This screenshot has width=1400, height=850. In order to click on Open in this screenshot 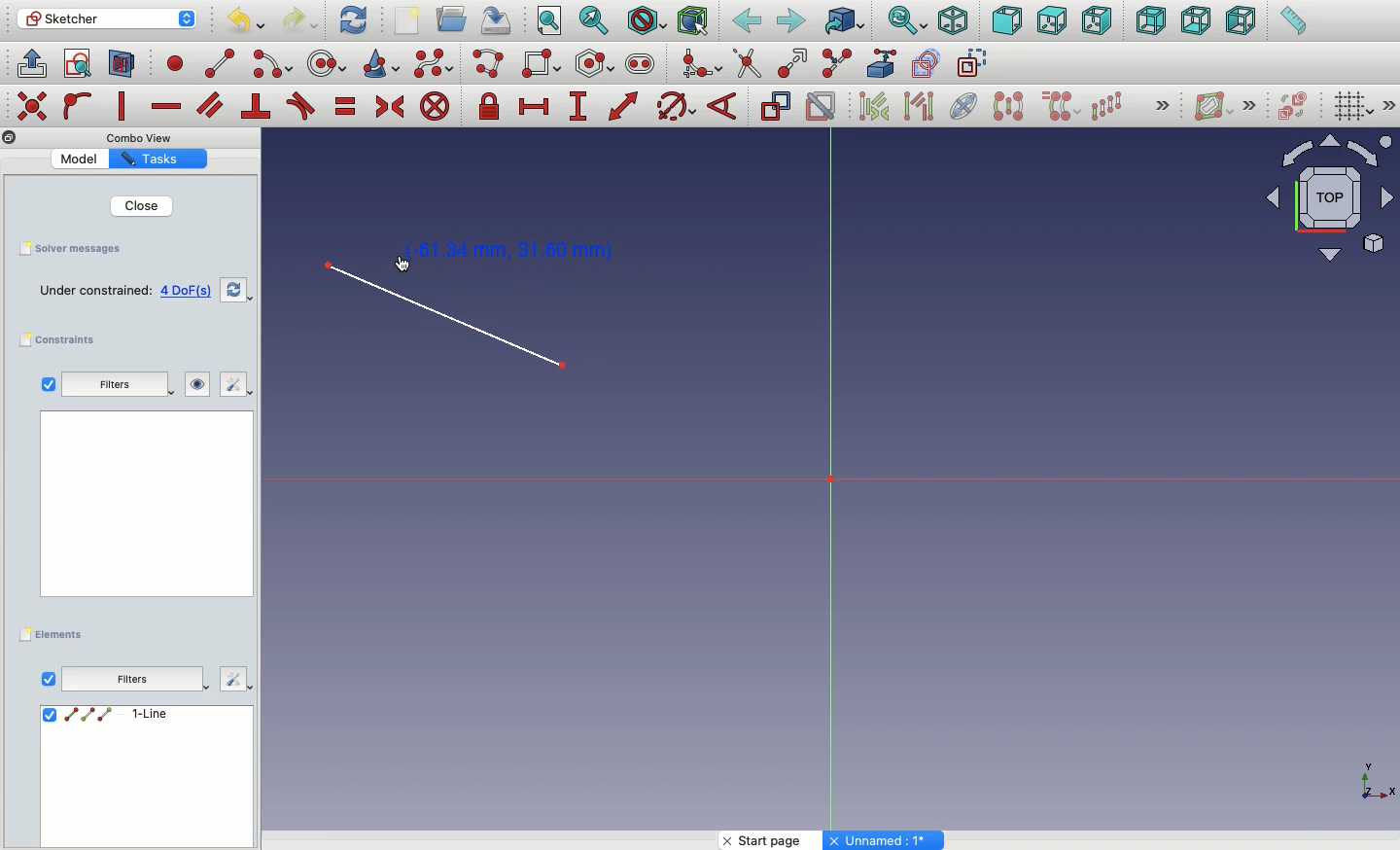, I will do `click(454, 18)`.